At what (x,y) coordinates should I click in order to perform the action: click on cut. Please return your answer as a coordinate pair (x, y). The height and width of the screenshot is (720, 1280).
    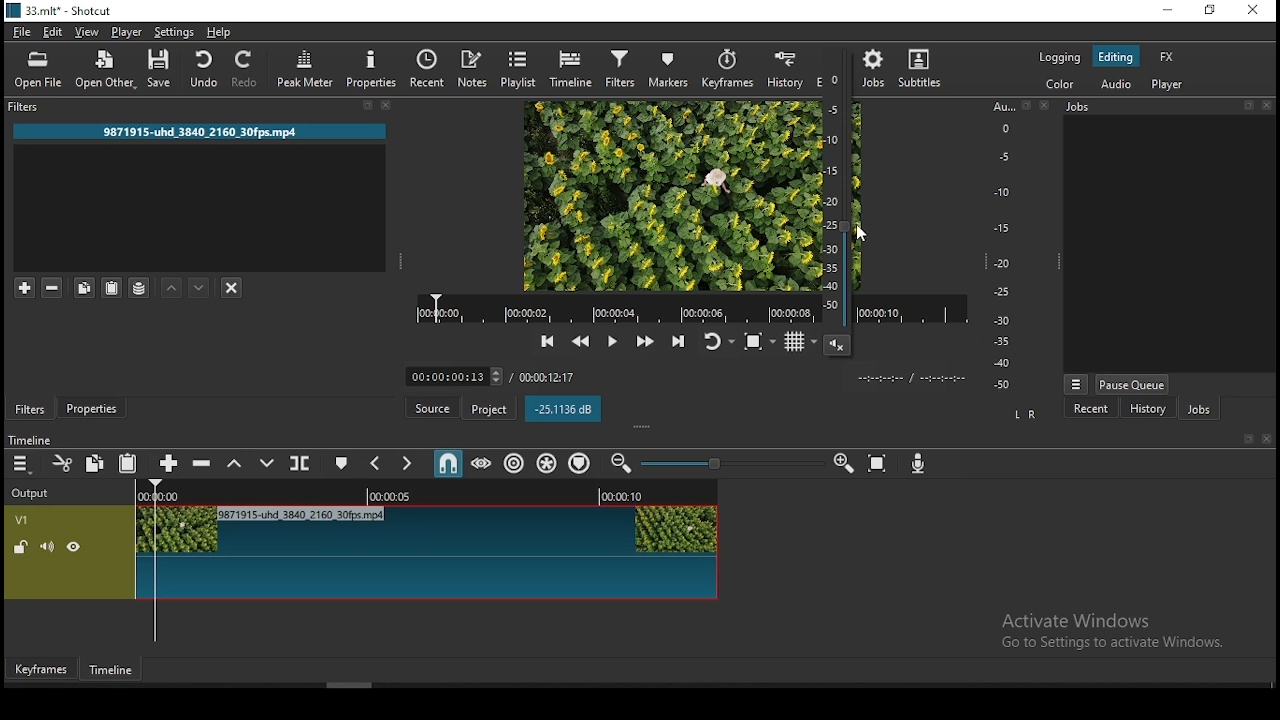
    Looking at the image, I should click on (64, 465).